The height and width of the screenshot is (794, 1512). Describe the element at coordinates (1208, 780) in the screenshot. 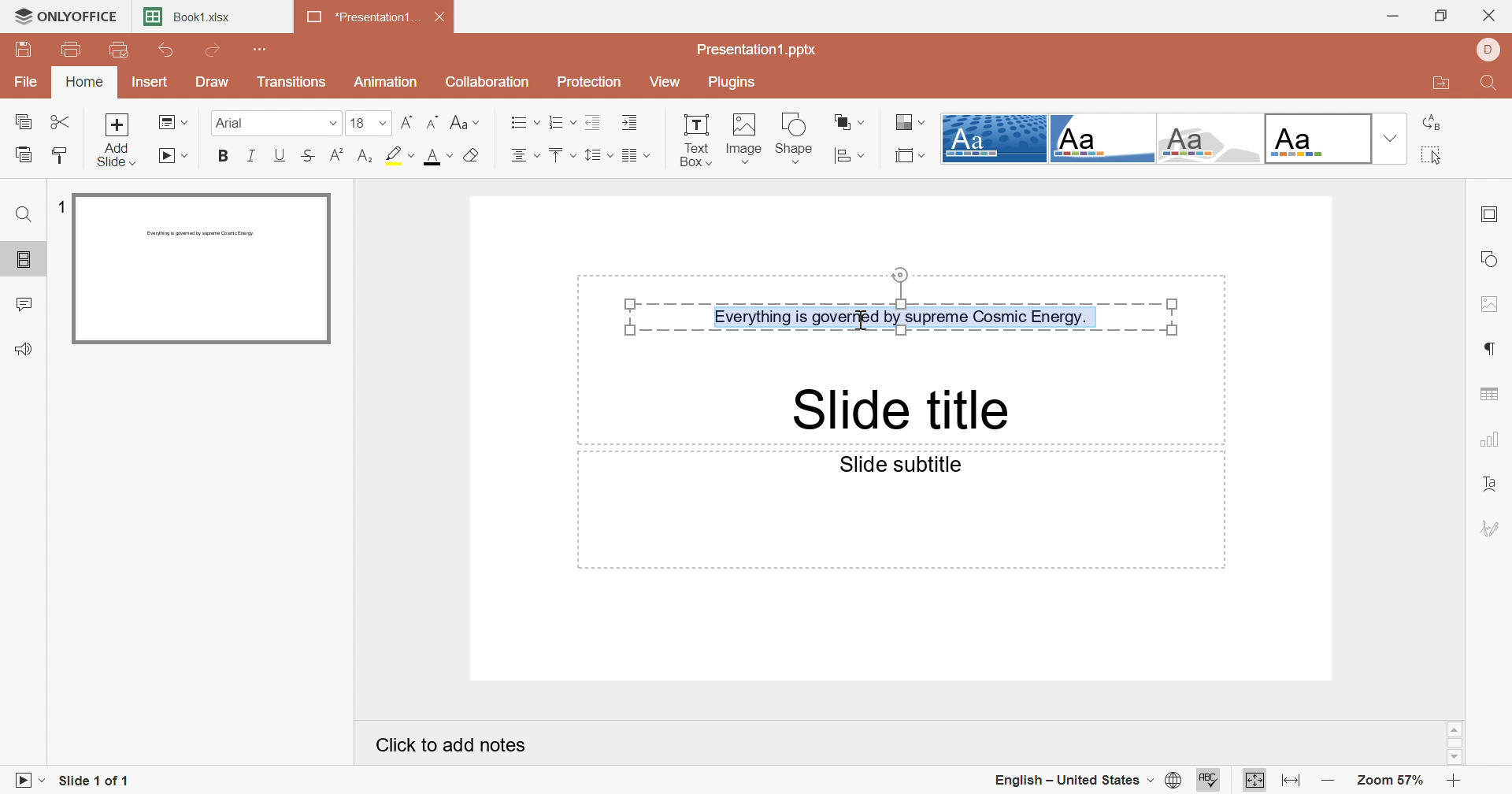

I see `Check Spelling` at that location.